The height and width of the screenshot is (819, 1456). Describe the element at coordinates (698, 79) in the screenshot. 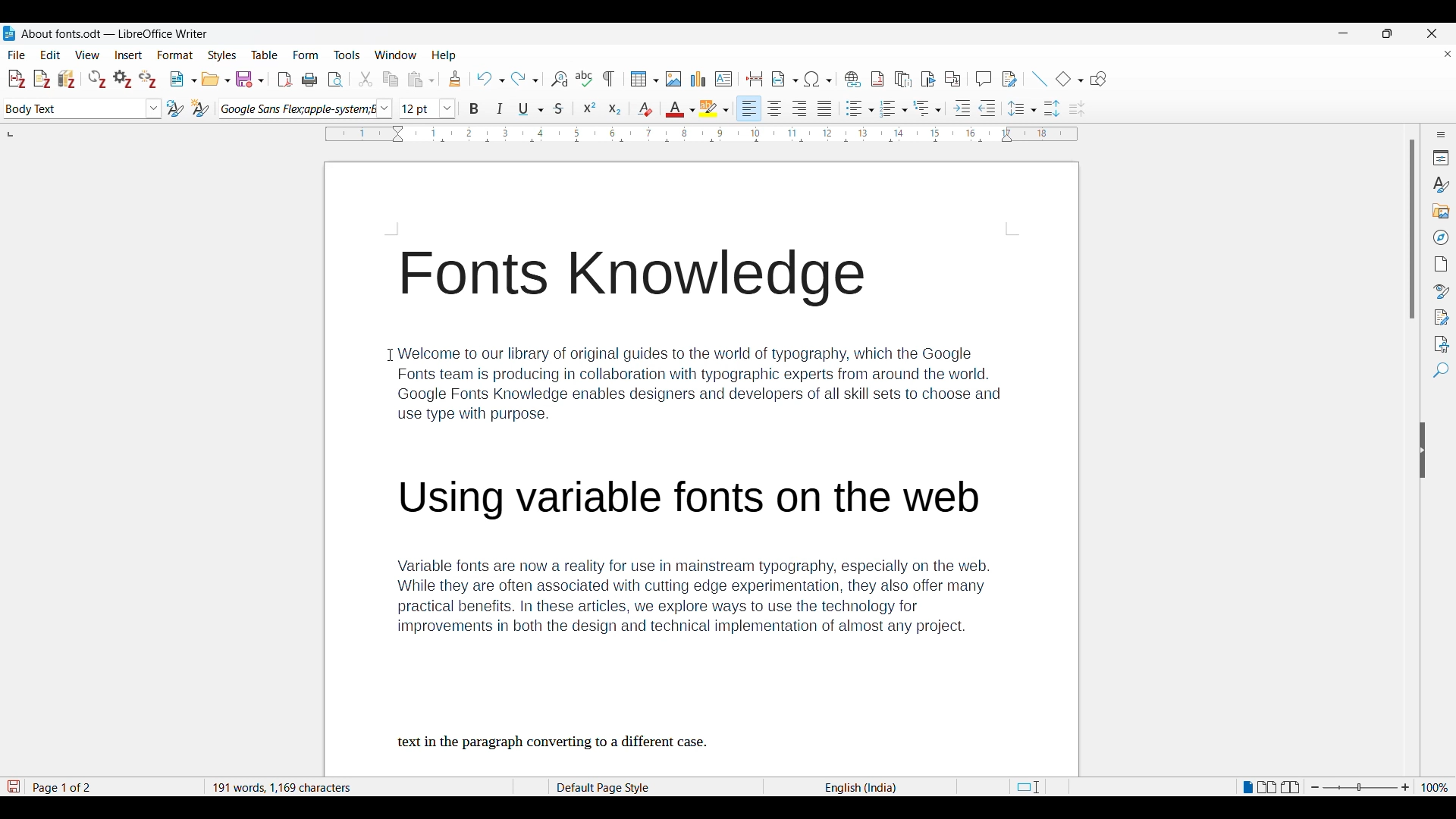

I see `Insert chart` at that location.